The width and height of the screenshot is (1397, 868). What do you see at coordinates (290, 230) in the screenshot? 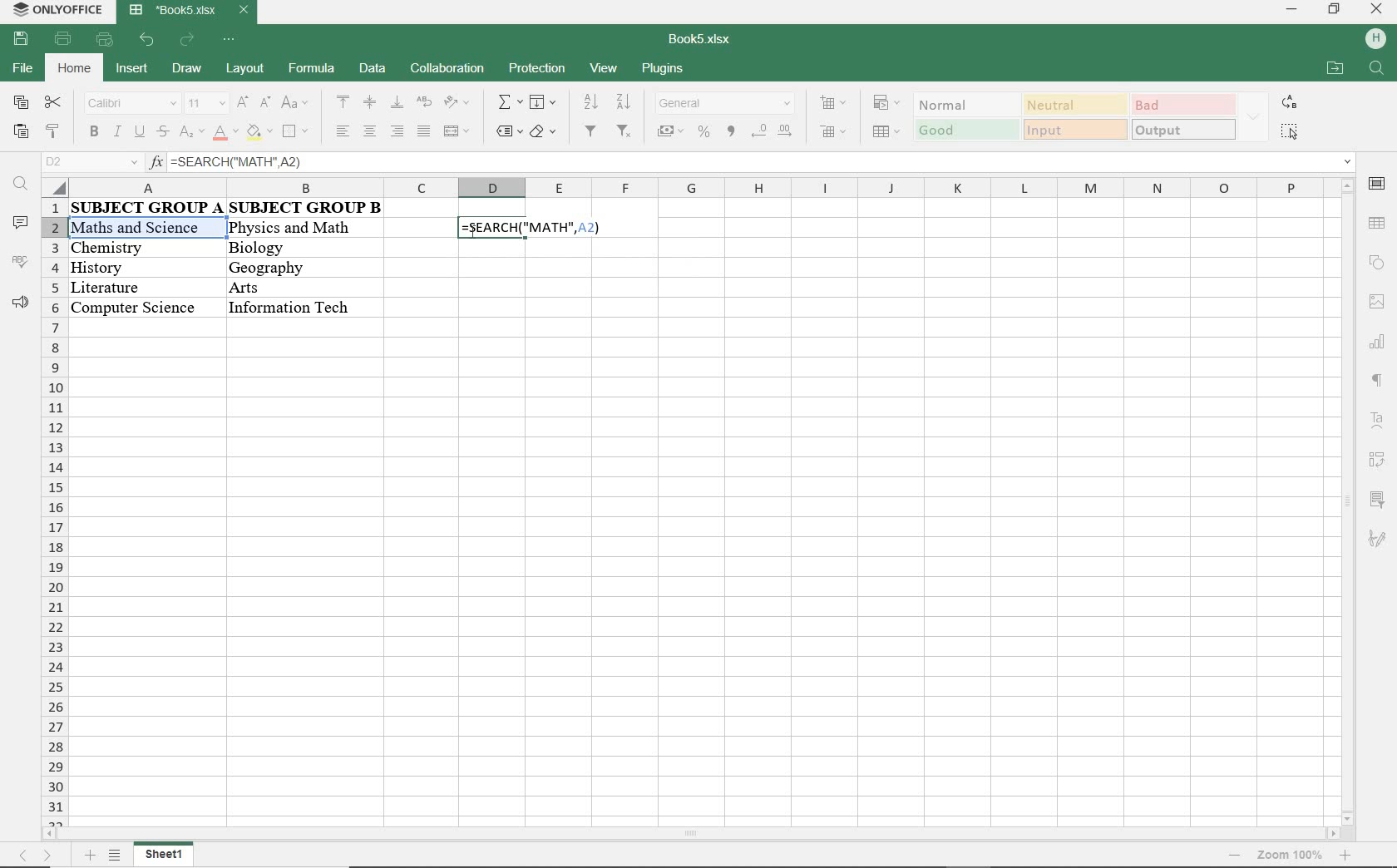
I see `physics and math` at bounding box center [290, 230].